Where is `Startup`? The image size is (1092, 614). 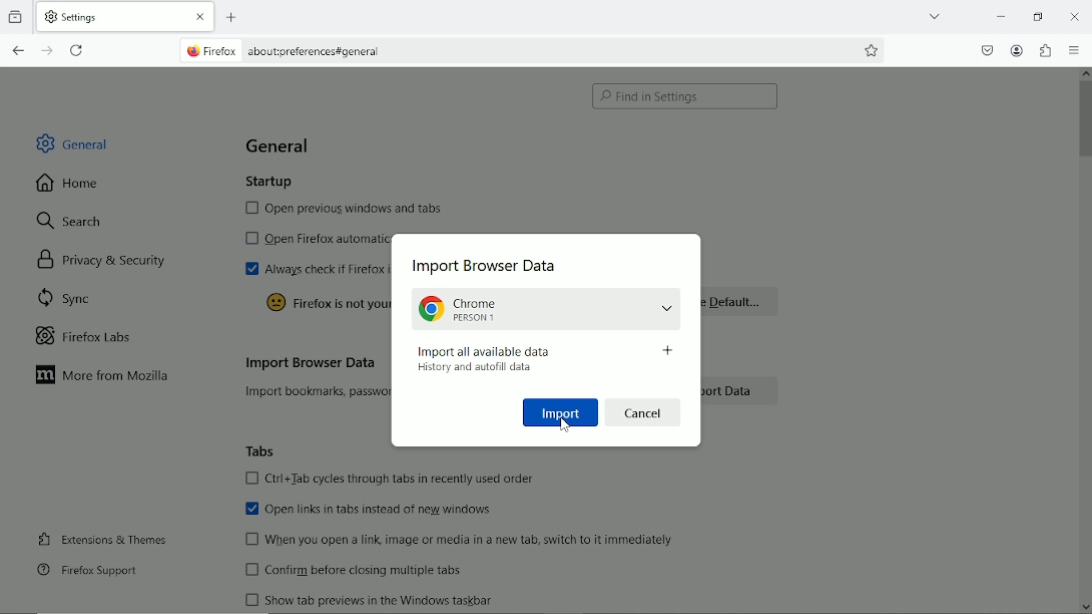 Startup is located at coordinates (268, 183).